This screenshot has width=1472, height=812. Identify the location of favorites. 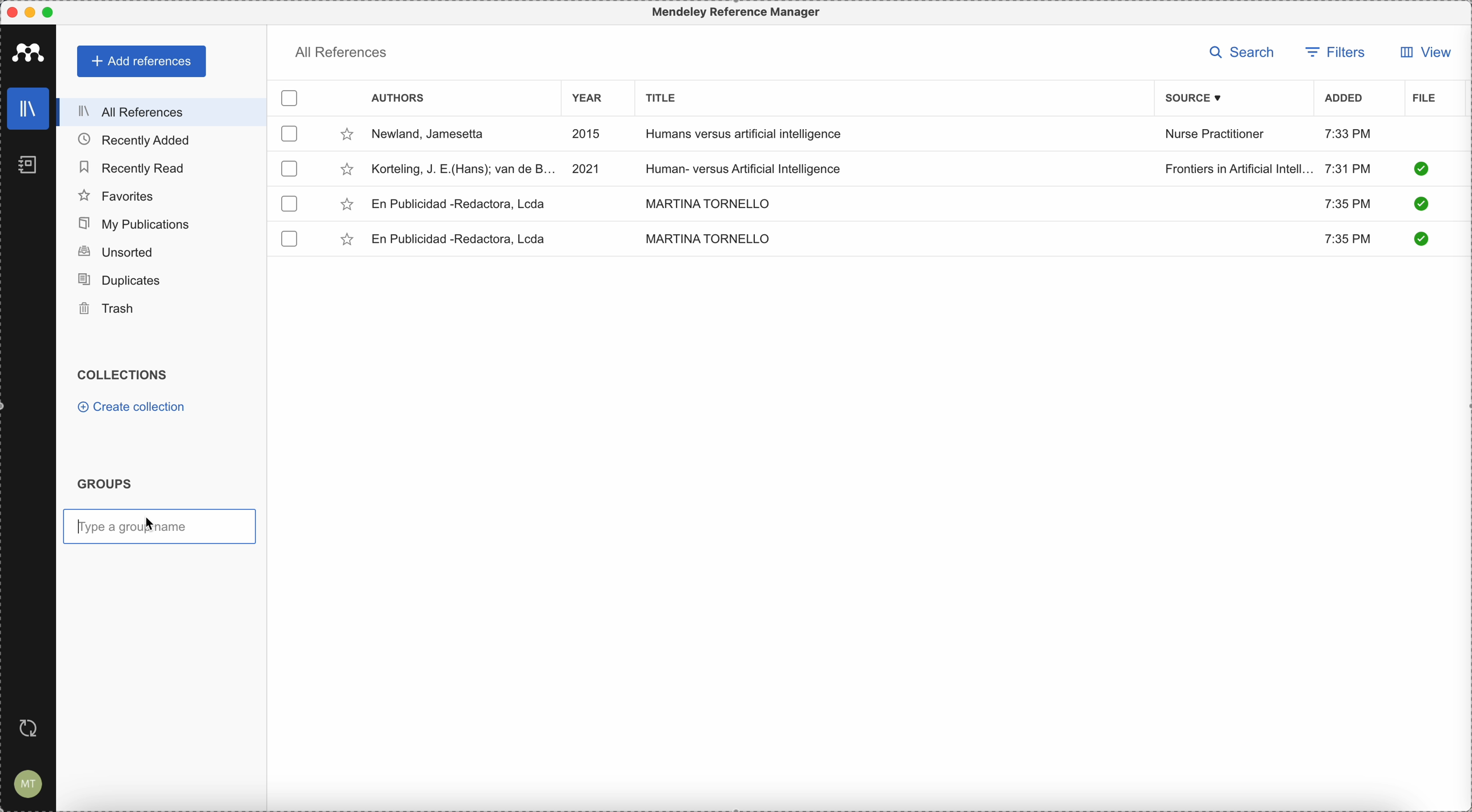
(117, 196).